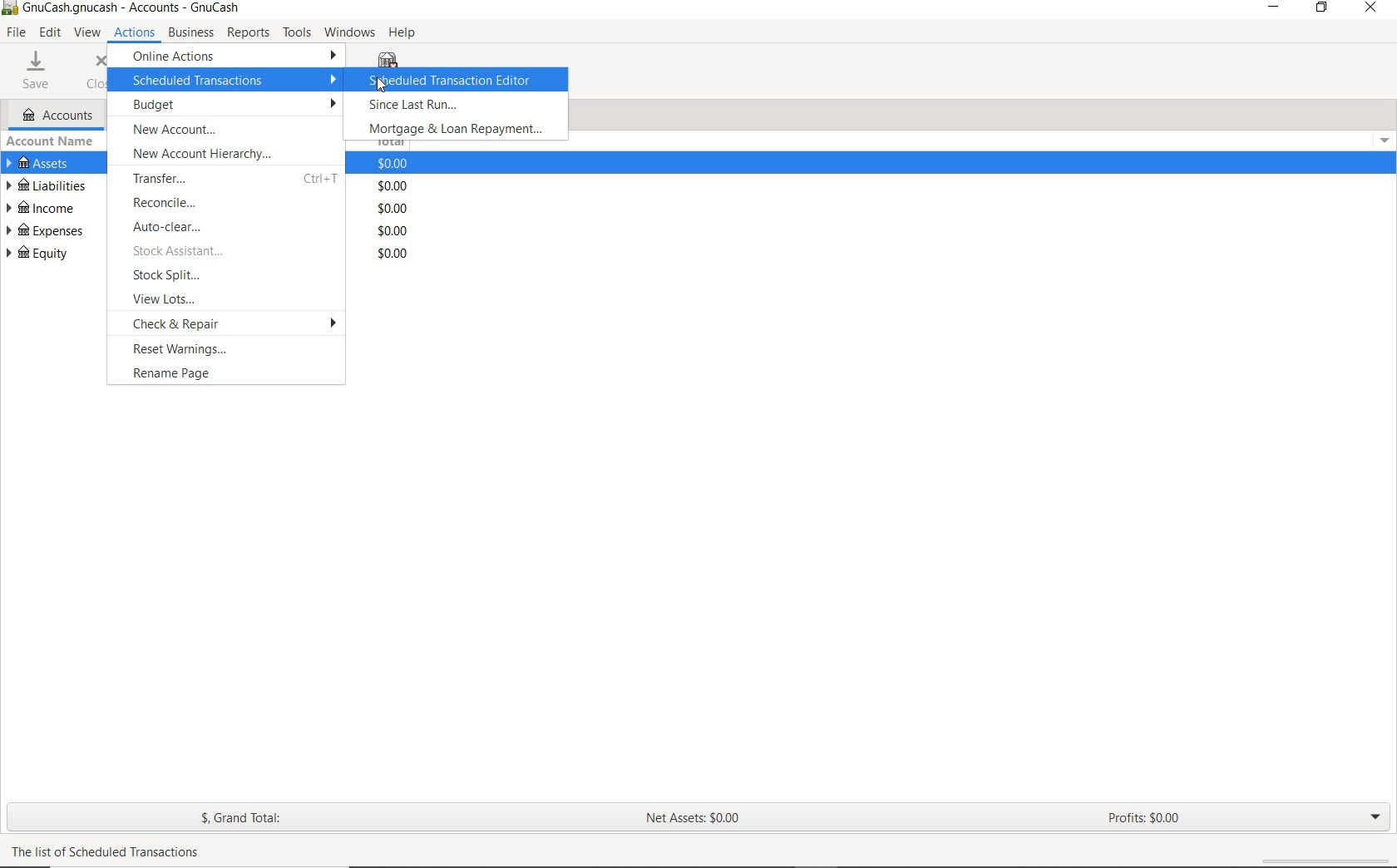 Image resolution: width=1397 pixels, height=868 pixels. I want to click on RENAME PAGE, so click(231, 375).